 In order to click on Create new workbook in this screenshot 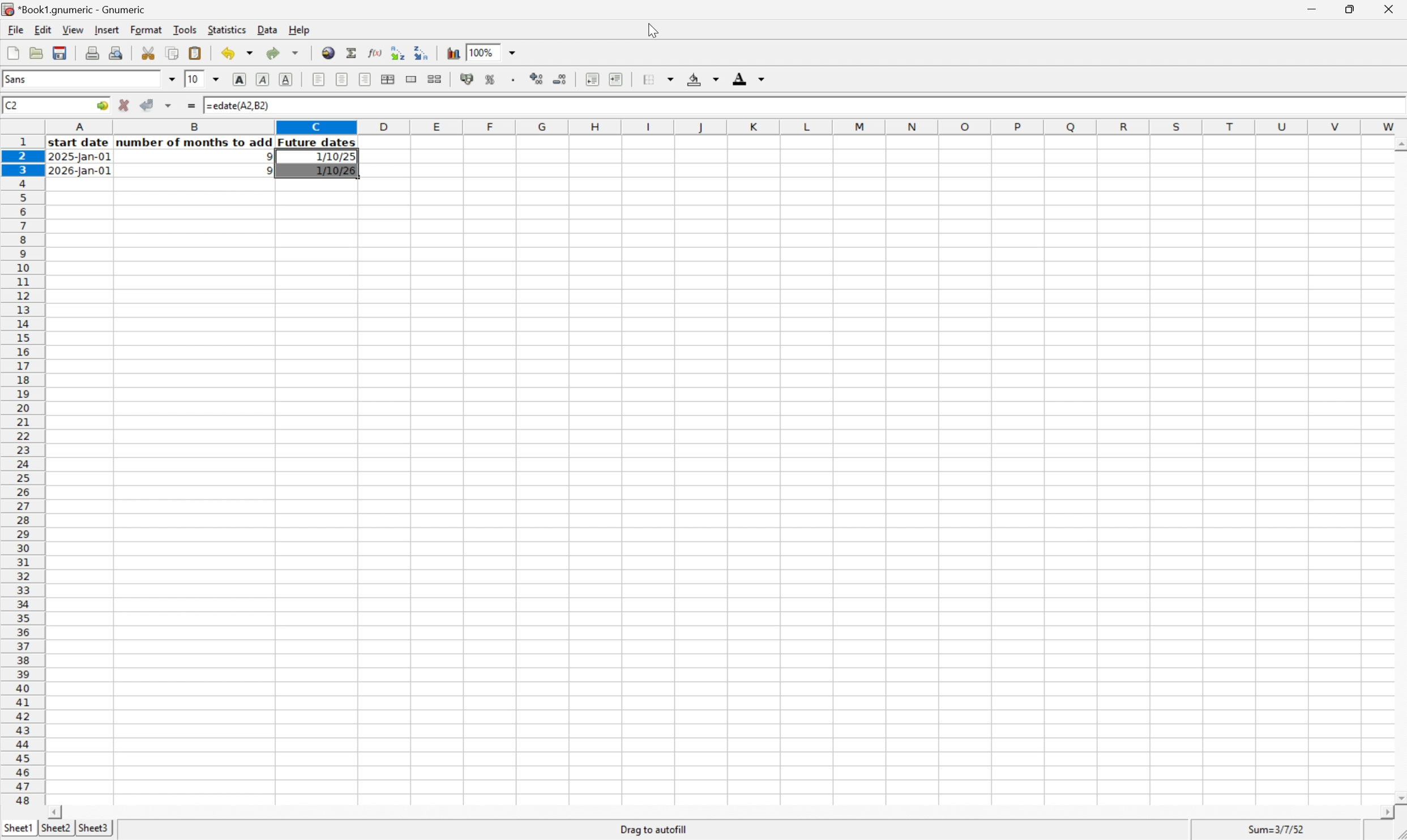, I will do `click(12, 53)`.